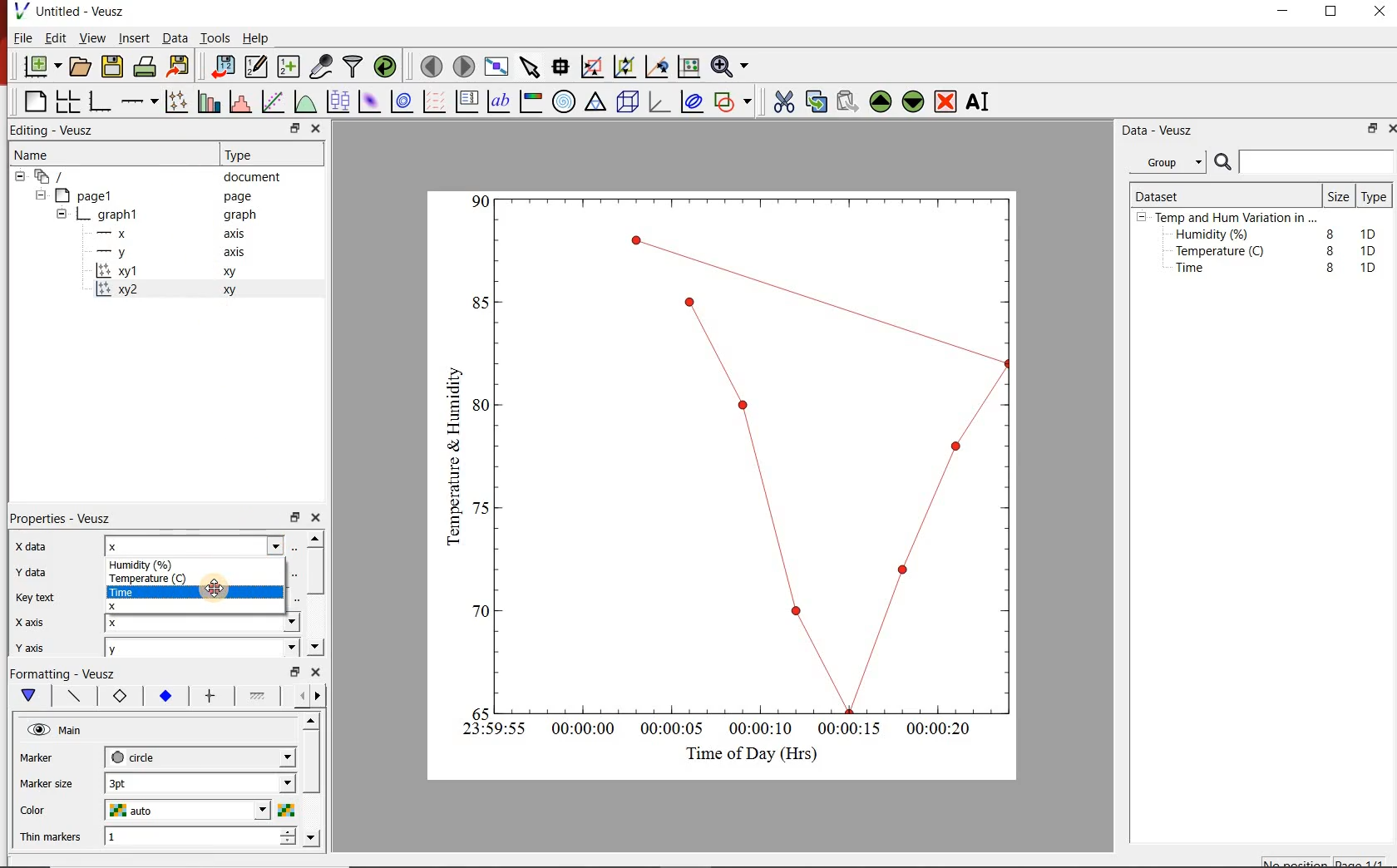 The height and width of the screenshot is (868, 1397). Describe the element at coordinates (287, 833) in the screenshot. I see `increase` at that location.